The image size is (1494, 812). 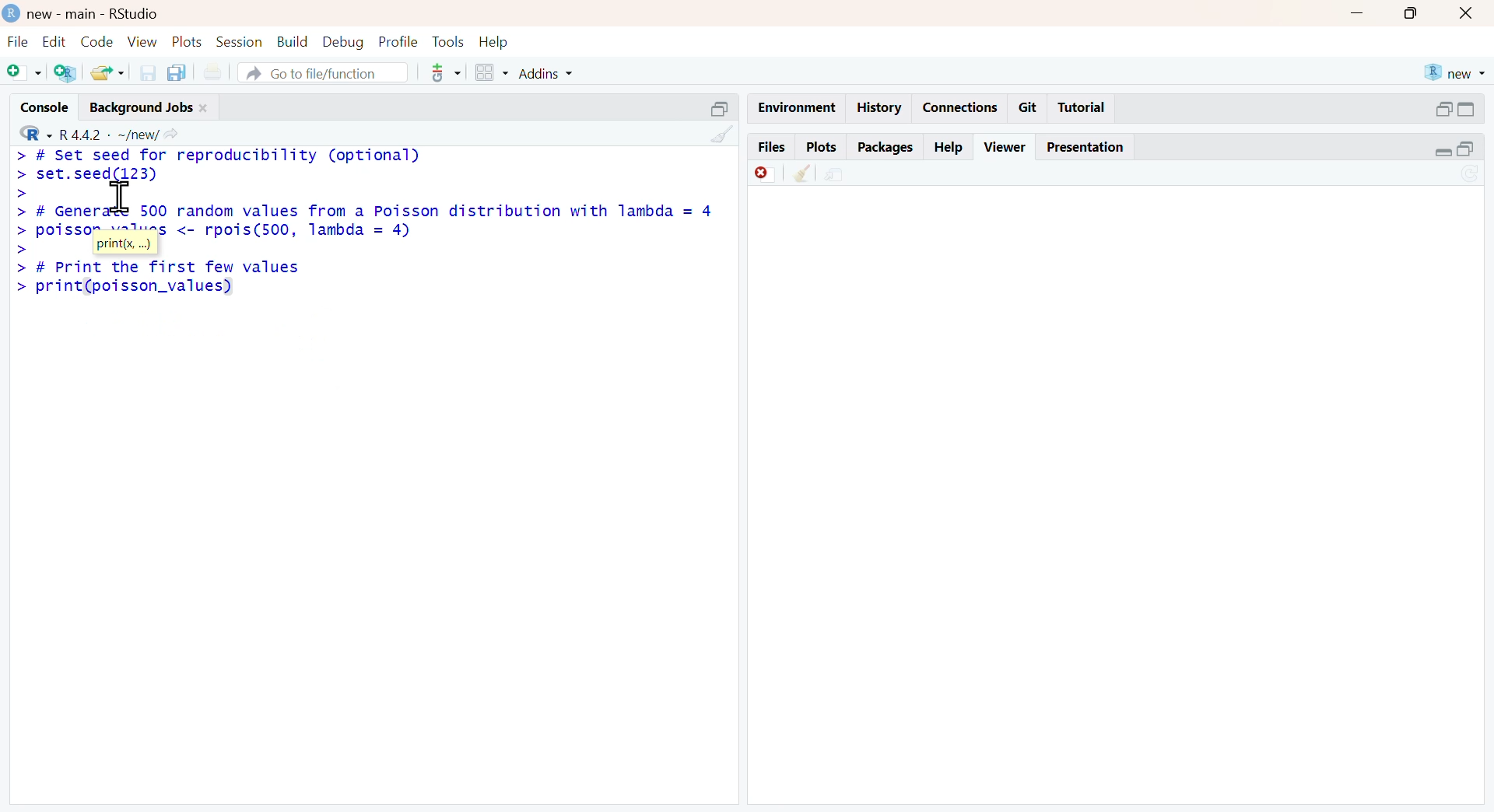 What do you see at coordinates (961, 107) in the screenshot?
I see `connections` at bounding box center [961, 107].